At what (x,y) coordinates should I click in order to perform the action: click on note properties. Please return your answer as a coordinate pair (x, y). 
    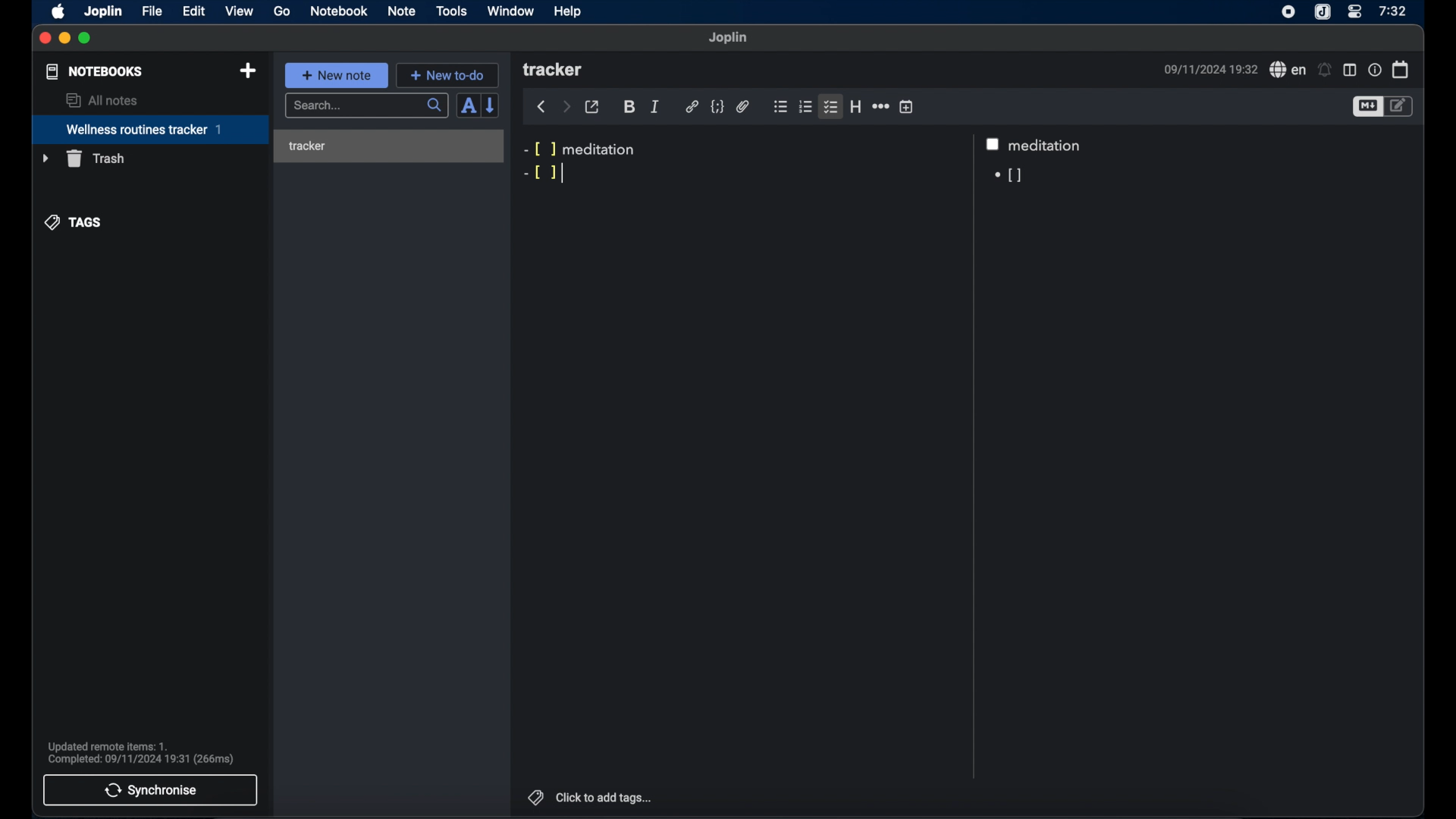
    Looking at the image, I should click on (1374, 69).